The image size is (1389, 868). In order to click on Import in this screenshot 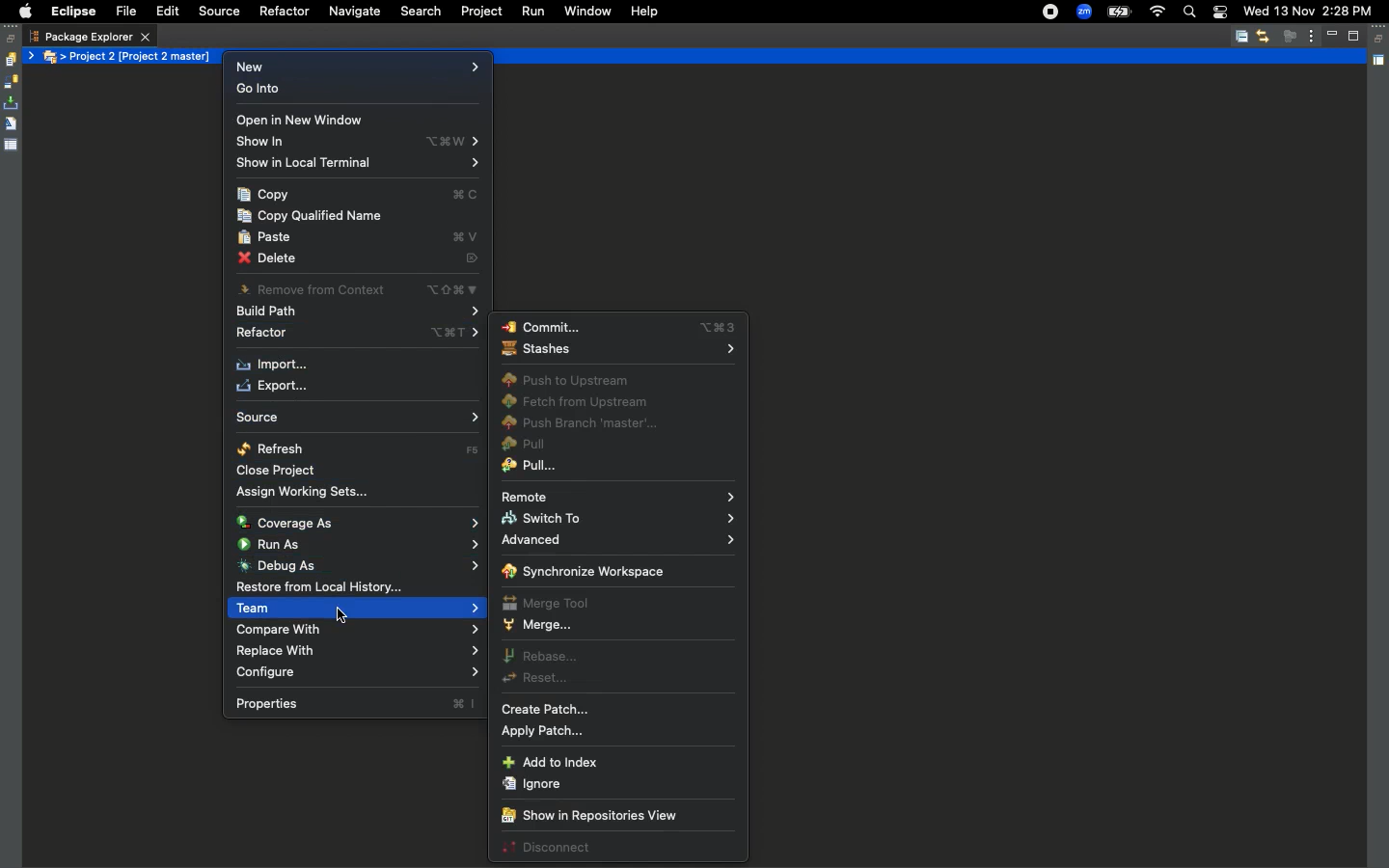, I will do `click(276, 366)`.